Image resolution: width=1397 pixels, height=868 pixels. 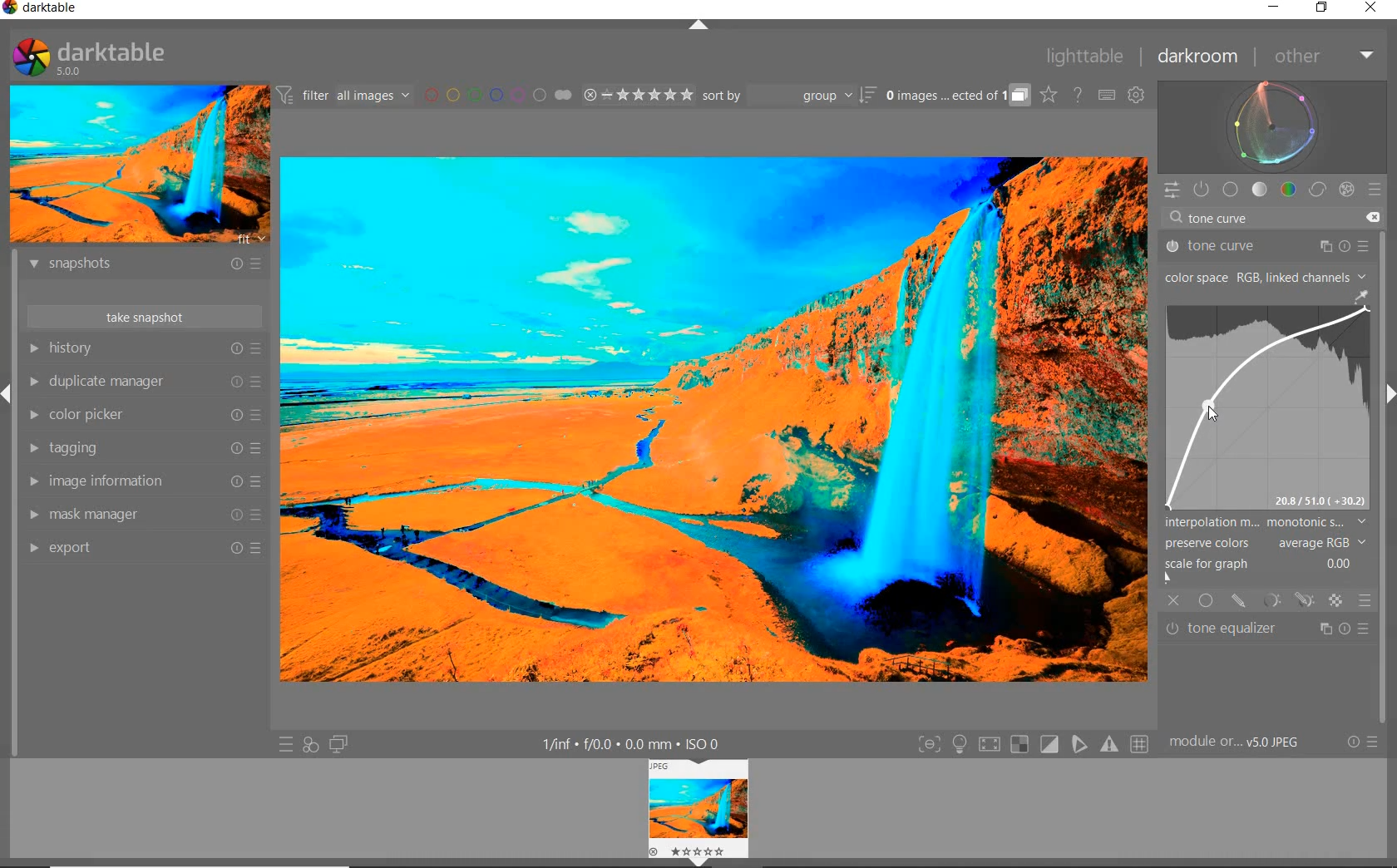 What do you see at coordinates (149, 266) in the screenshot?
I see `snapshots` at bounding box center [149, 266].